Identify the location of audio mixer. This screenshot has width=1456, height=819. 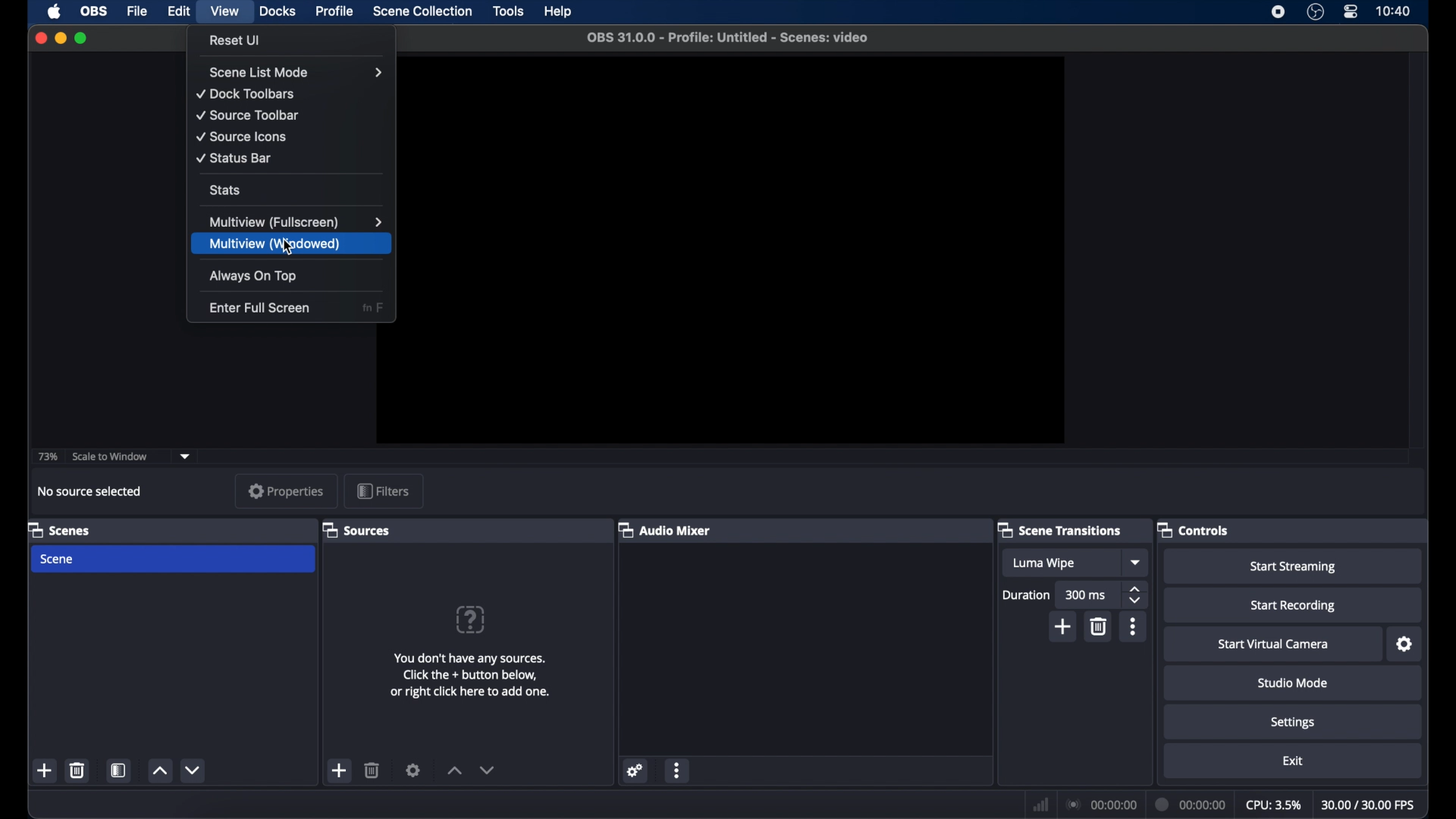
(664, 529).